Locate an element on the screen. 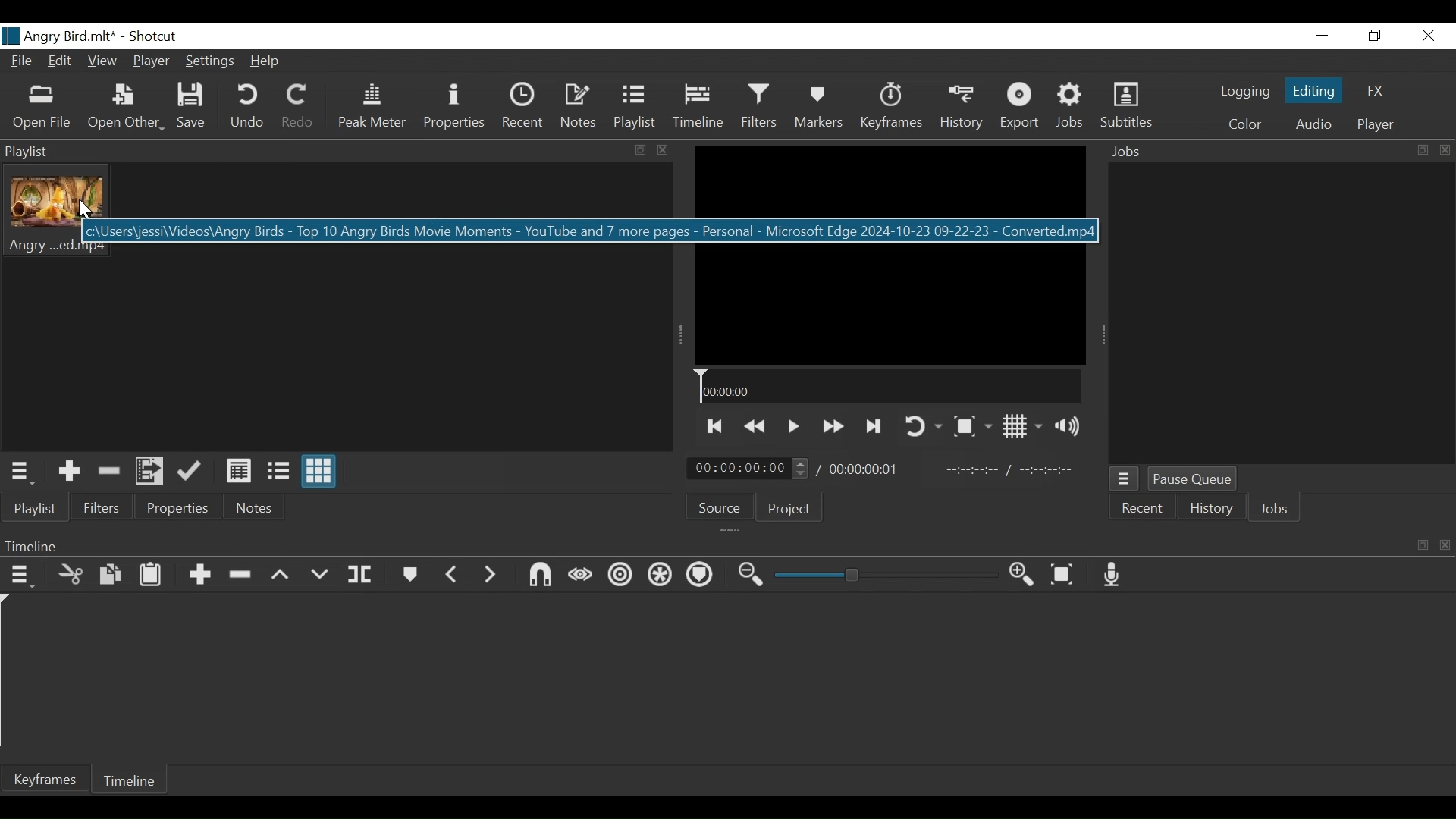  FX is located at coordinates (1375, 91).